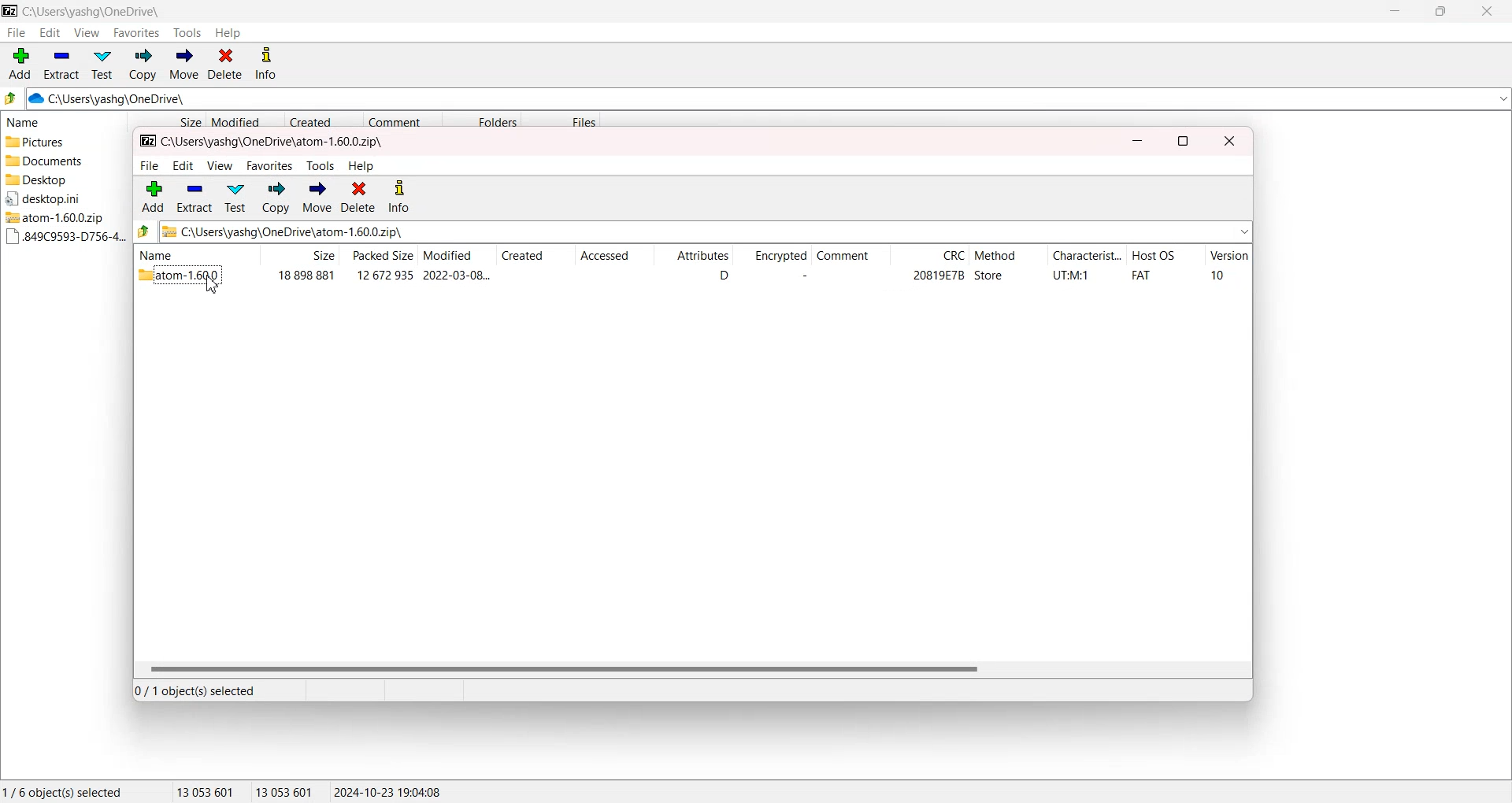 This screenshot has height=803, width=1512. What do you see at coordinates (183, 166) in the screenshot?
I see `edit` at bounding box center [183, 166].